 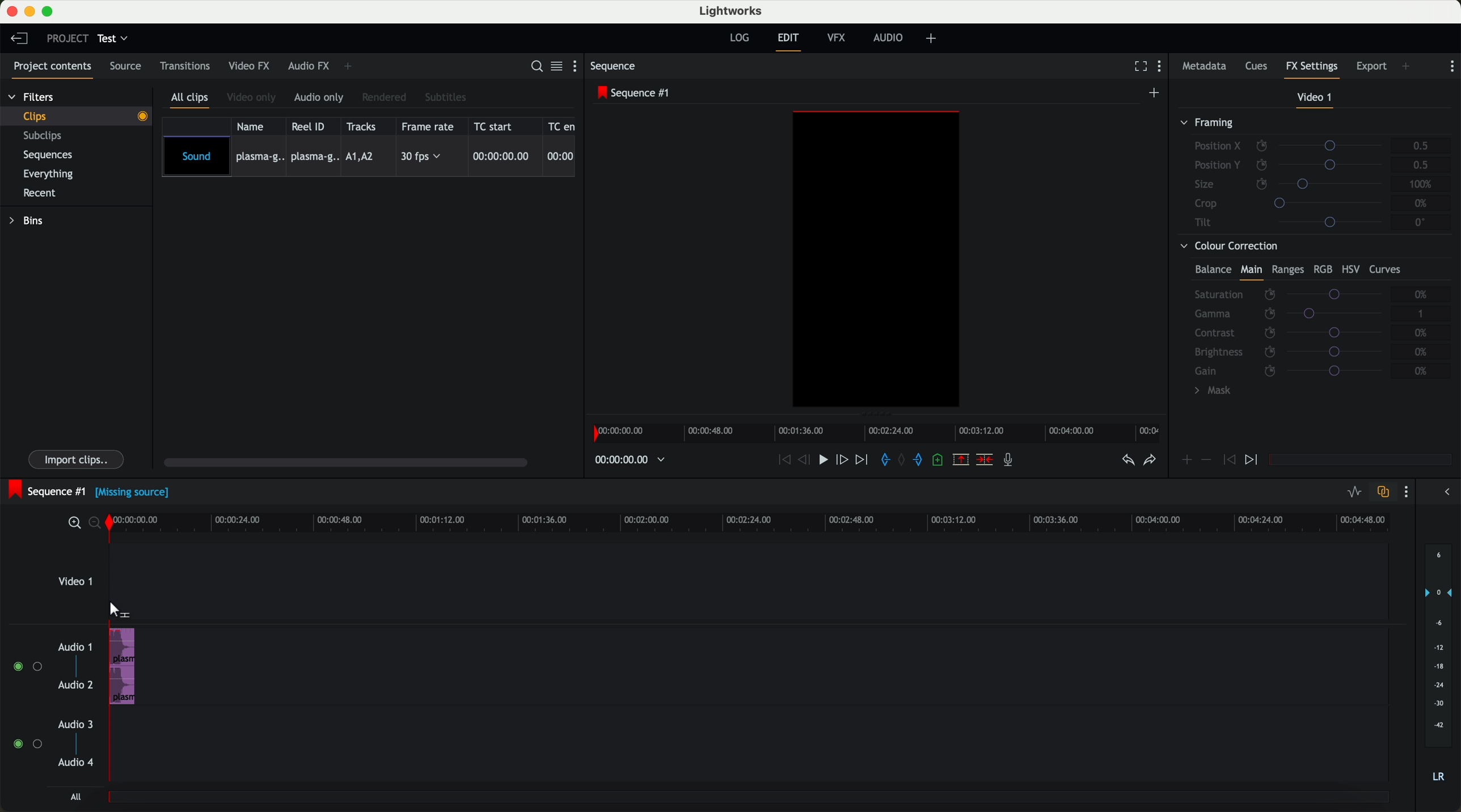 What do you see at coordinates (562, 125) in the screenshot?
I see `TC en` at bounding box center [562, 125].